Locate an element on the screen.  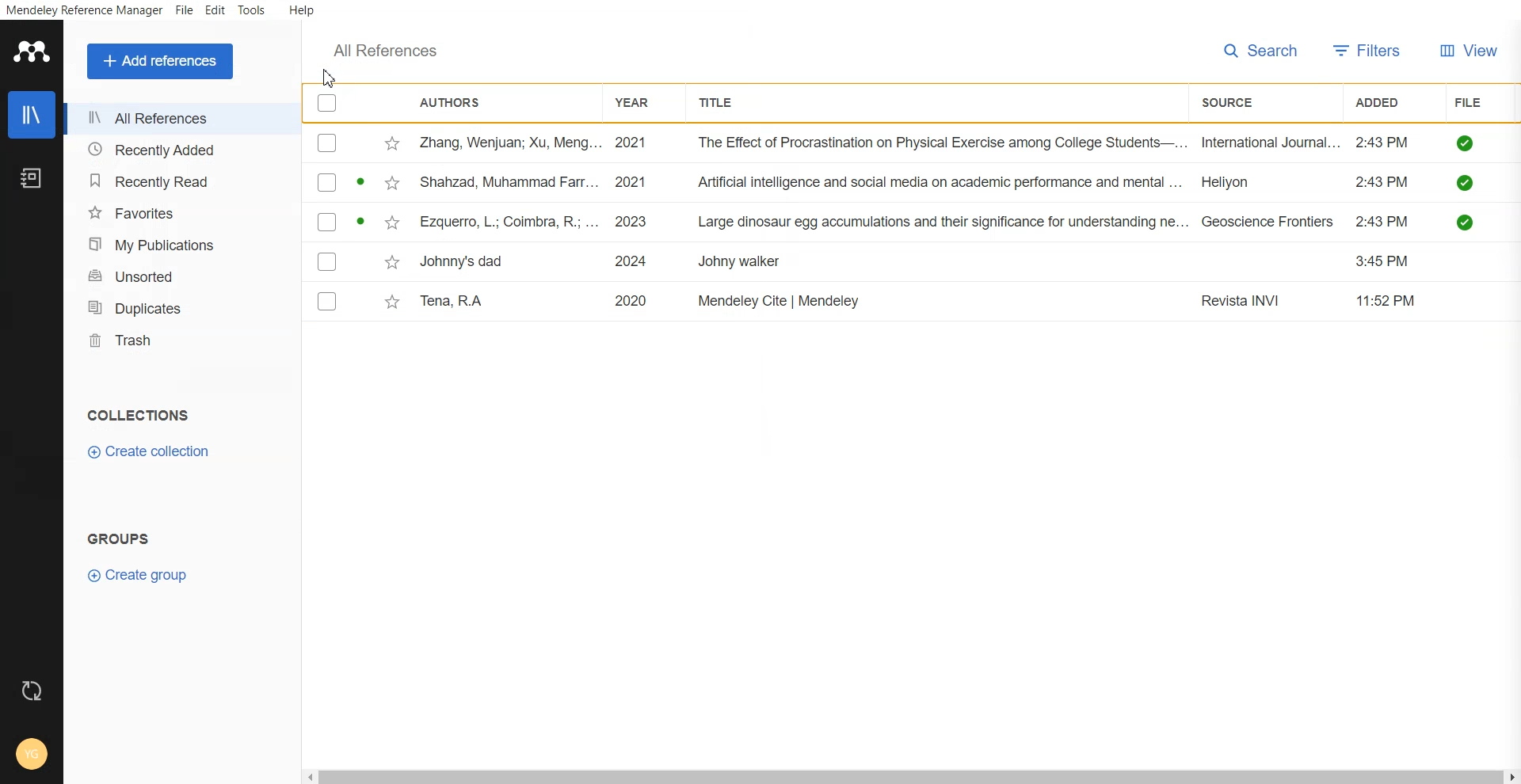
Unsorted is located at coordinates (177, 276).